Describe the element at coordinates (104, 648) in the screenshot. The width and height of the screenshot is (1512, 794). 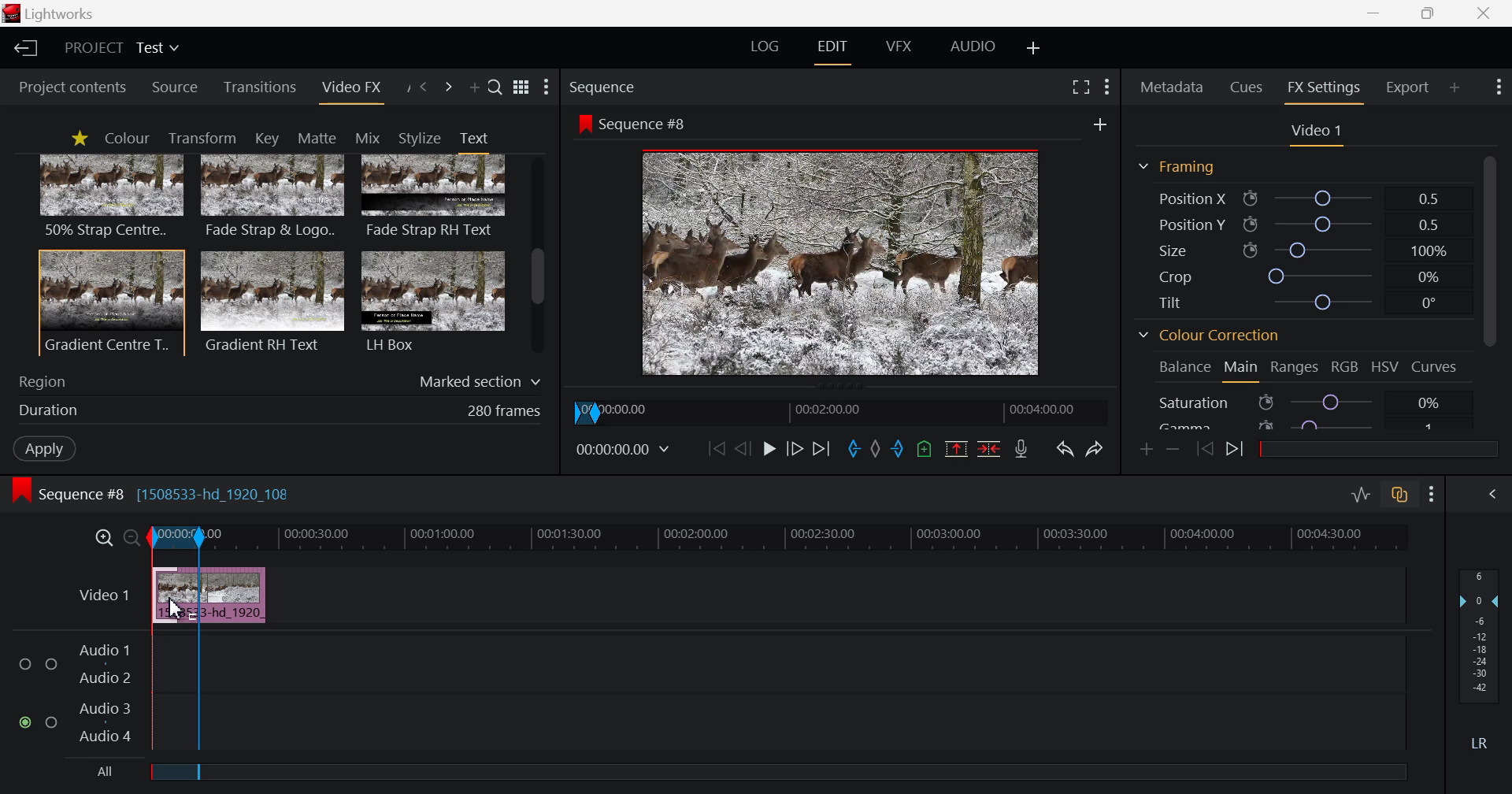
I see `audio 1` at that location.